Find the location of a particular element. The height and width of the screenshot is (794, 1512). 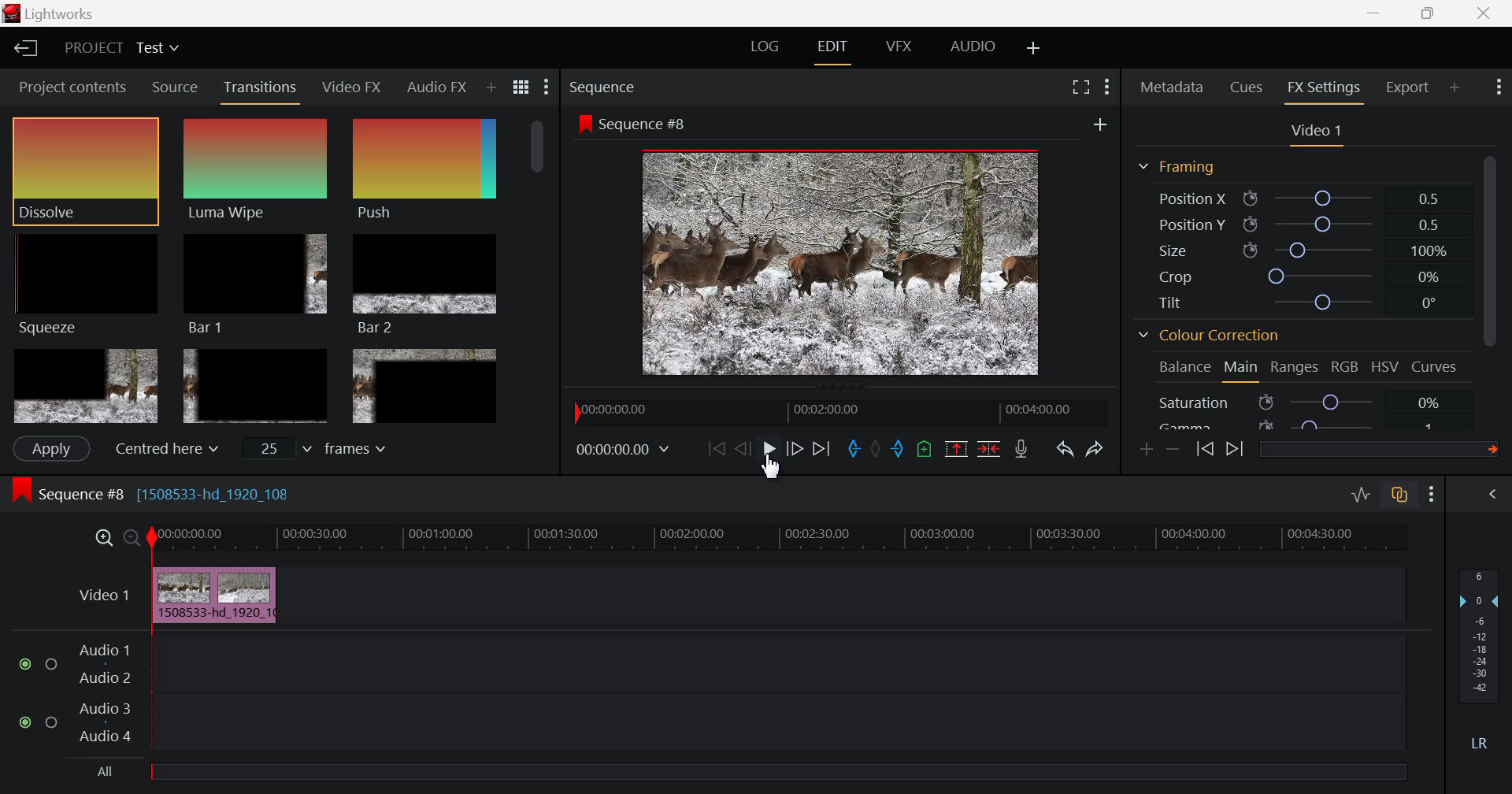

Size is located at coordinates (1309, 250).